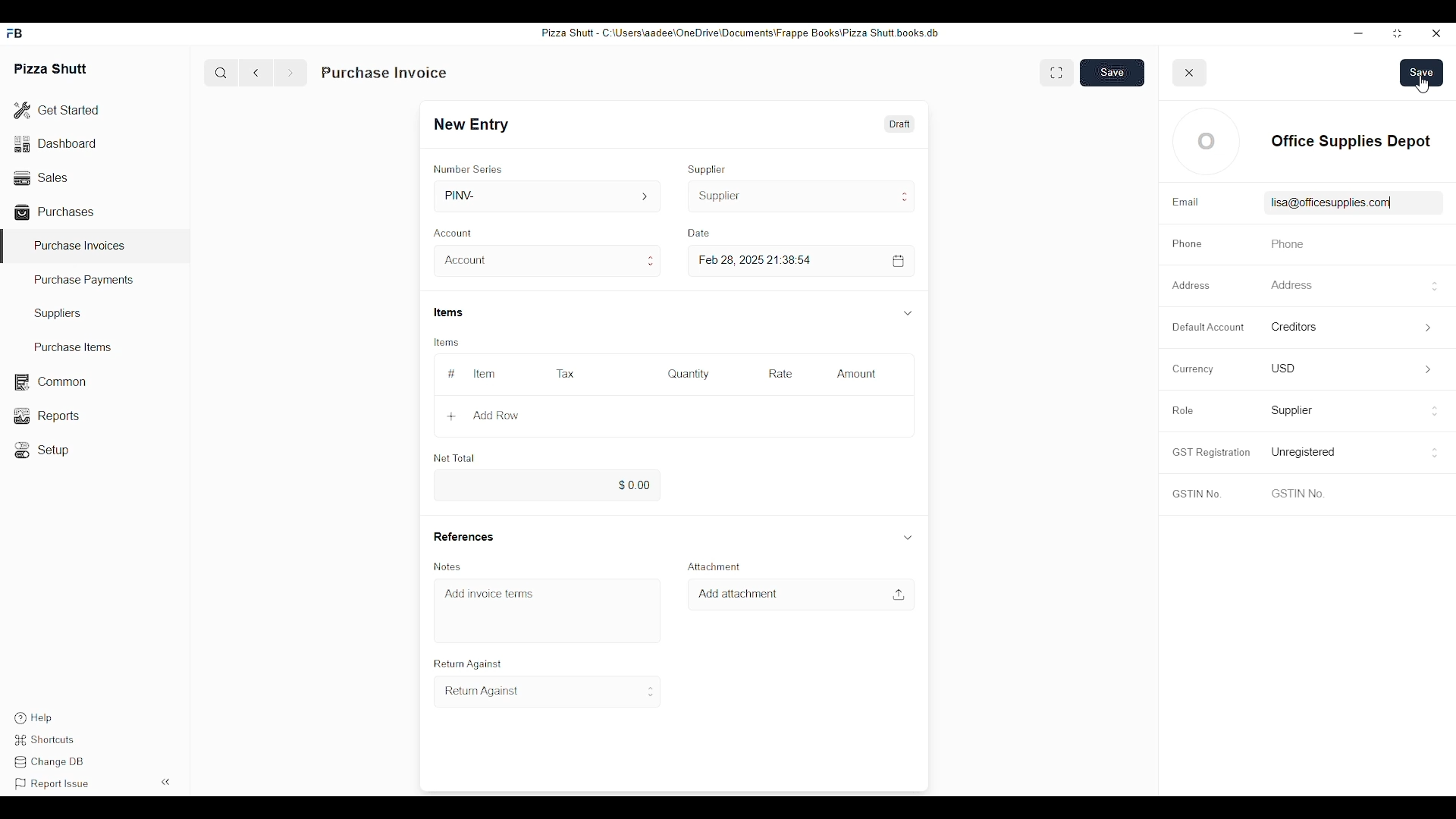 The height and width of the screenshot is (819, 1456). What do you see at coordinates (1428, 370) in the screenshot?
I see `>` at bounding box center [1428, 370].